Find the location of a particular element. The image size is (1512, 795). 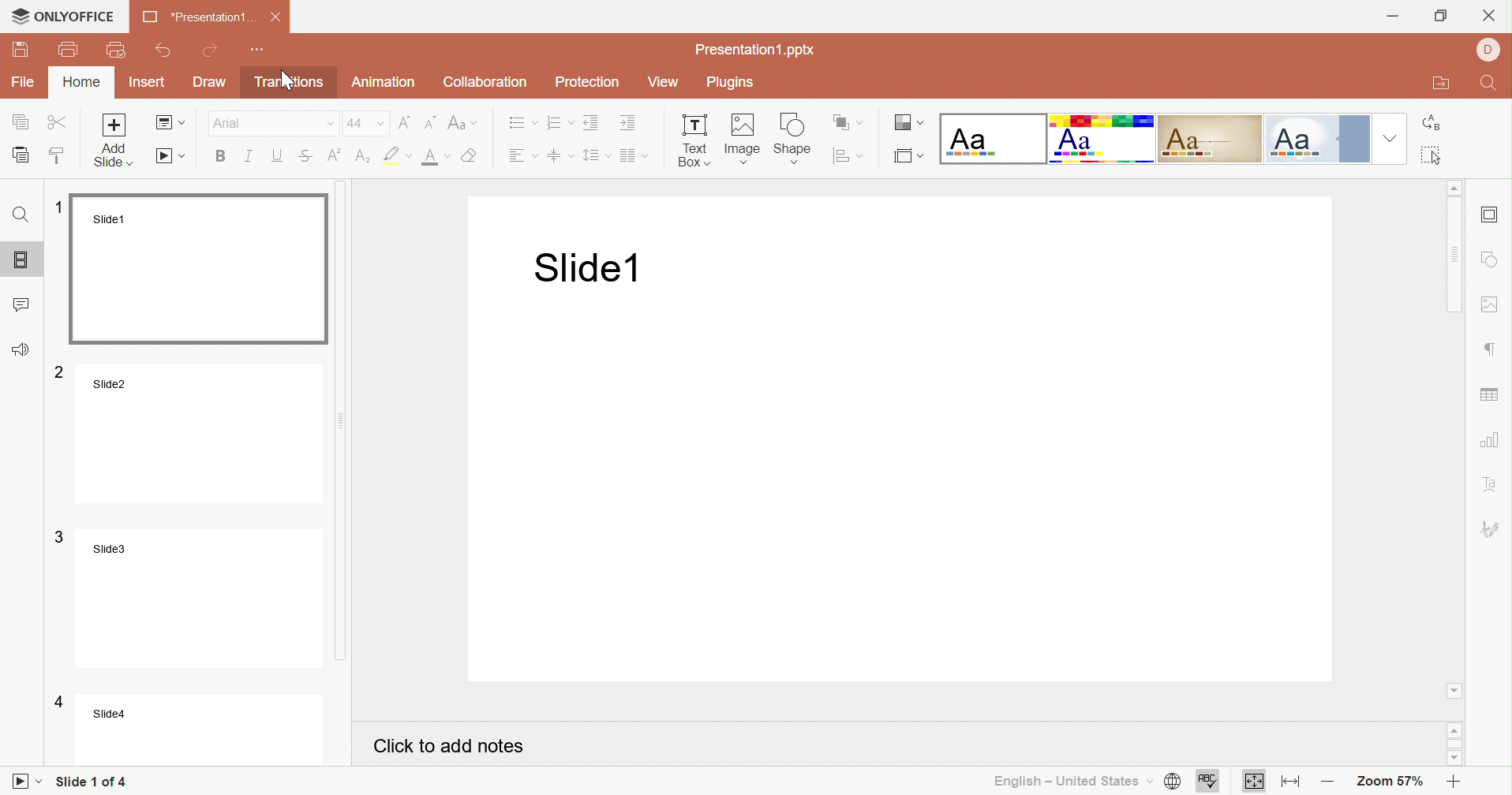

Animation is located at coordinates (384, 84).